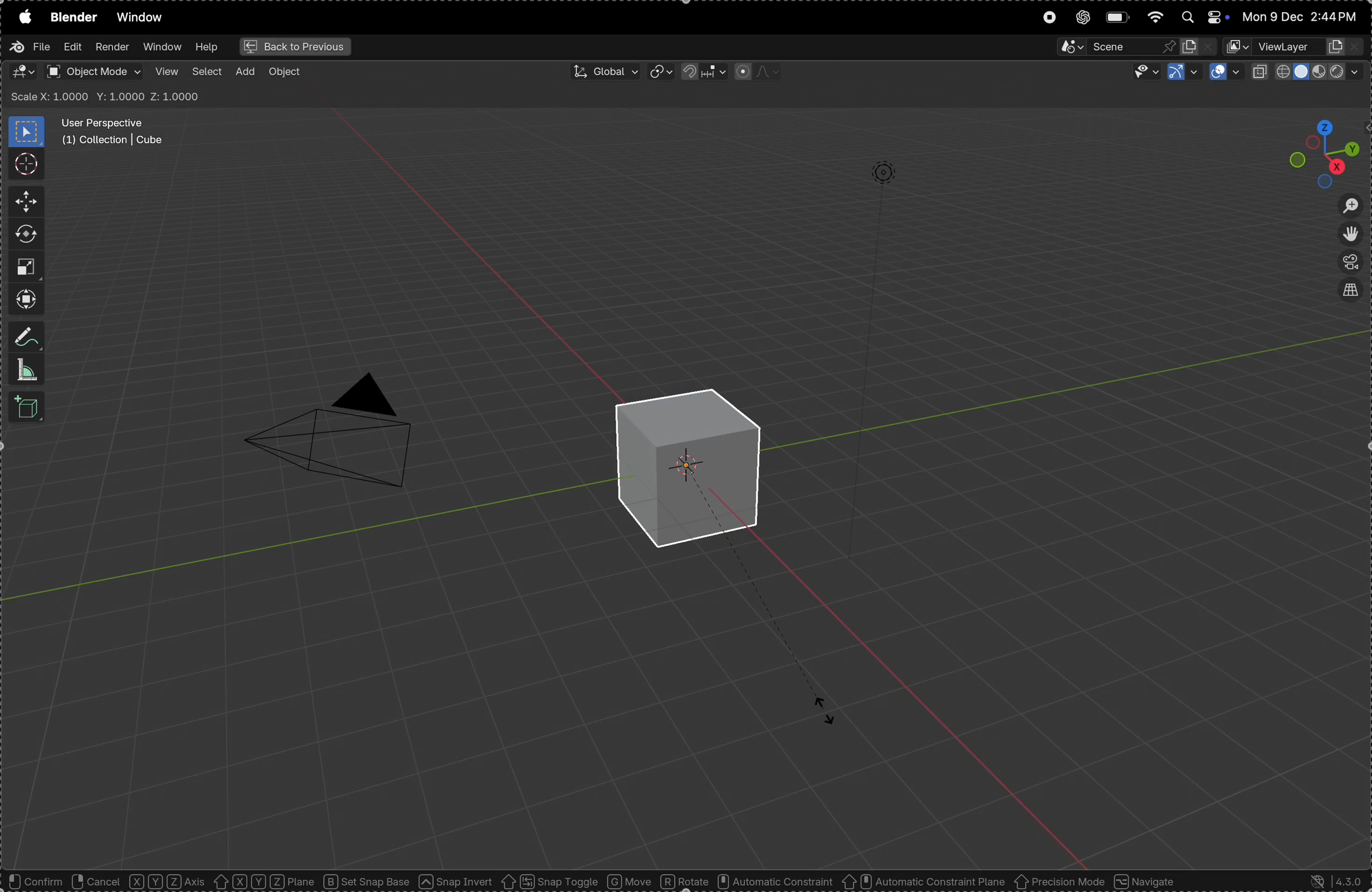  Describe the element at coordinates (1302, 14) in the screenshot. I see `date and time` at that location.